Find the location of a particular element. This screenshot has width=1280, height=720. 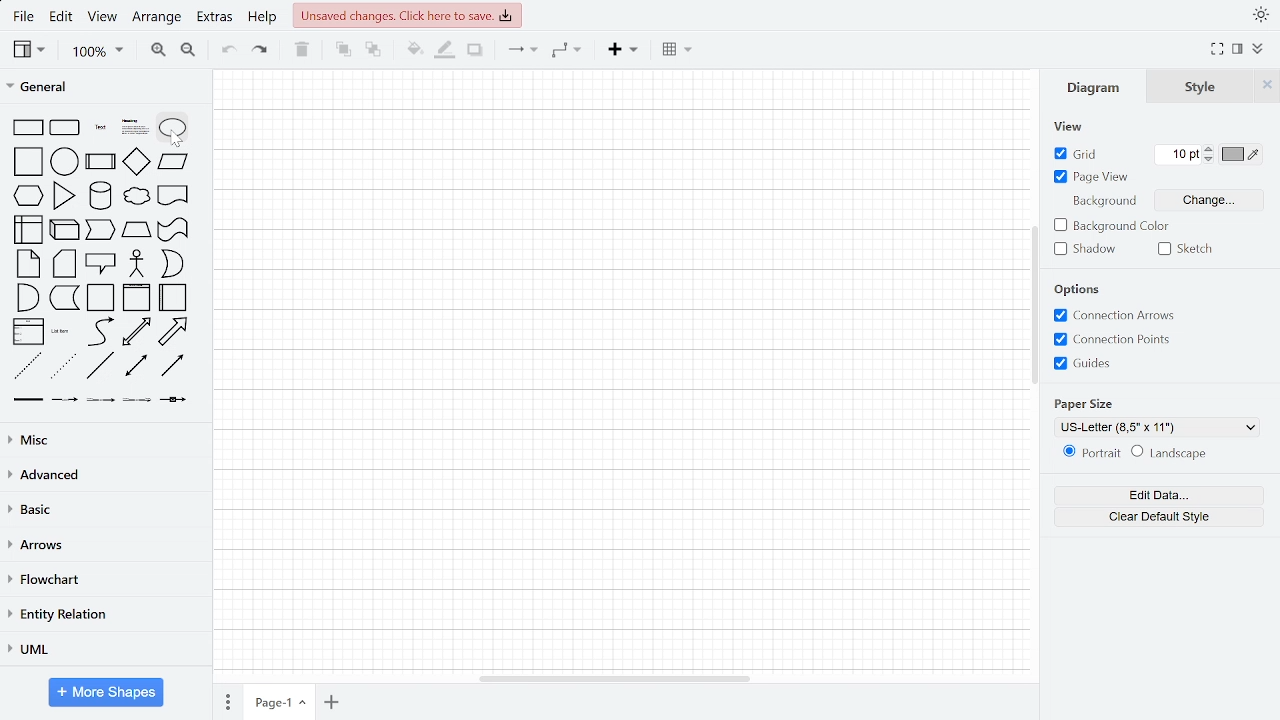

bidirectional connector is located at coordinates (134, 366).